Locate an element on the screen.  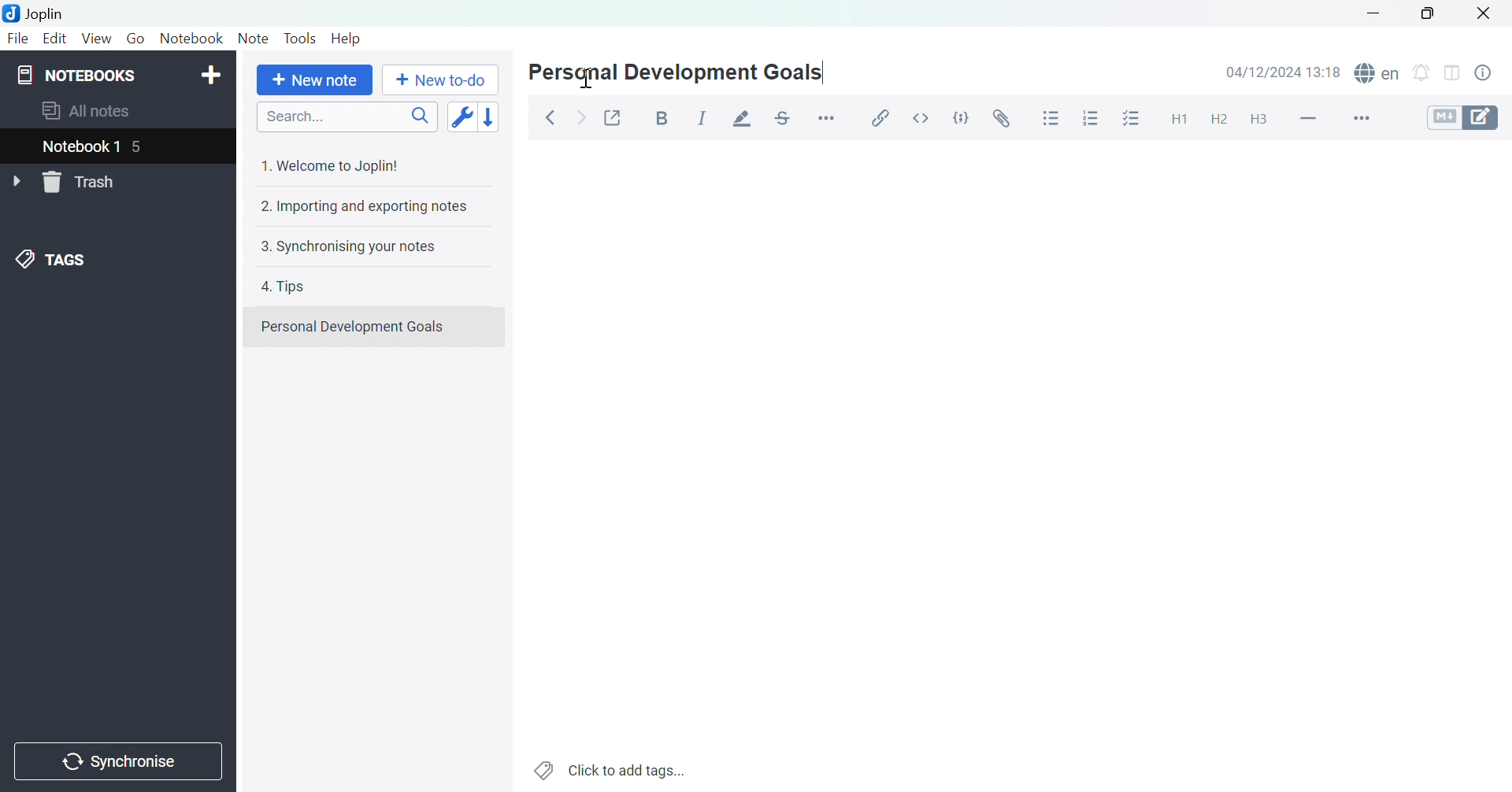
Toggle editor layout is located at coordinates (1452, 76).